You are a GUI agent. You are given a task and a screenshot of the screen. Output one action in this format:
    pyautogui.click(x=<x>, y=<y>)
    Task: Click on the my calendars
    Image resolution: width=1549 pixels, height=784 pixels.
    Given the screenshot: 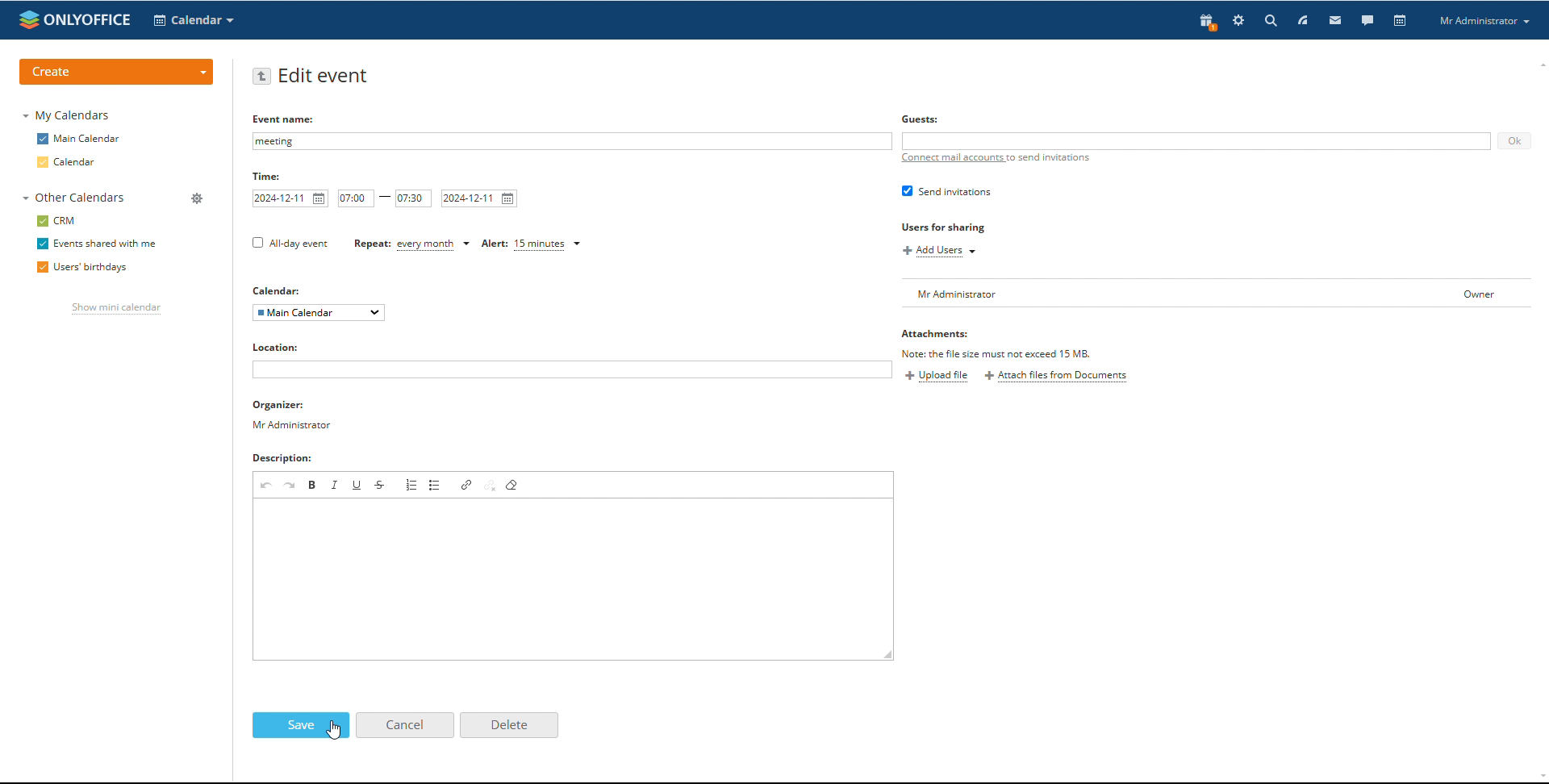 What is the action you would take?
    pyautogui.click(x=65, y=115)
    